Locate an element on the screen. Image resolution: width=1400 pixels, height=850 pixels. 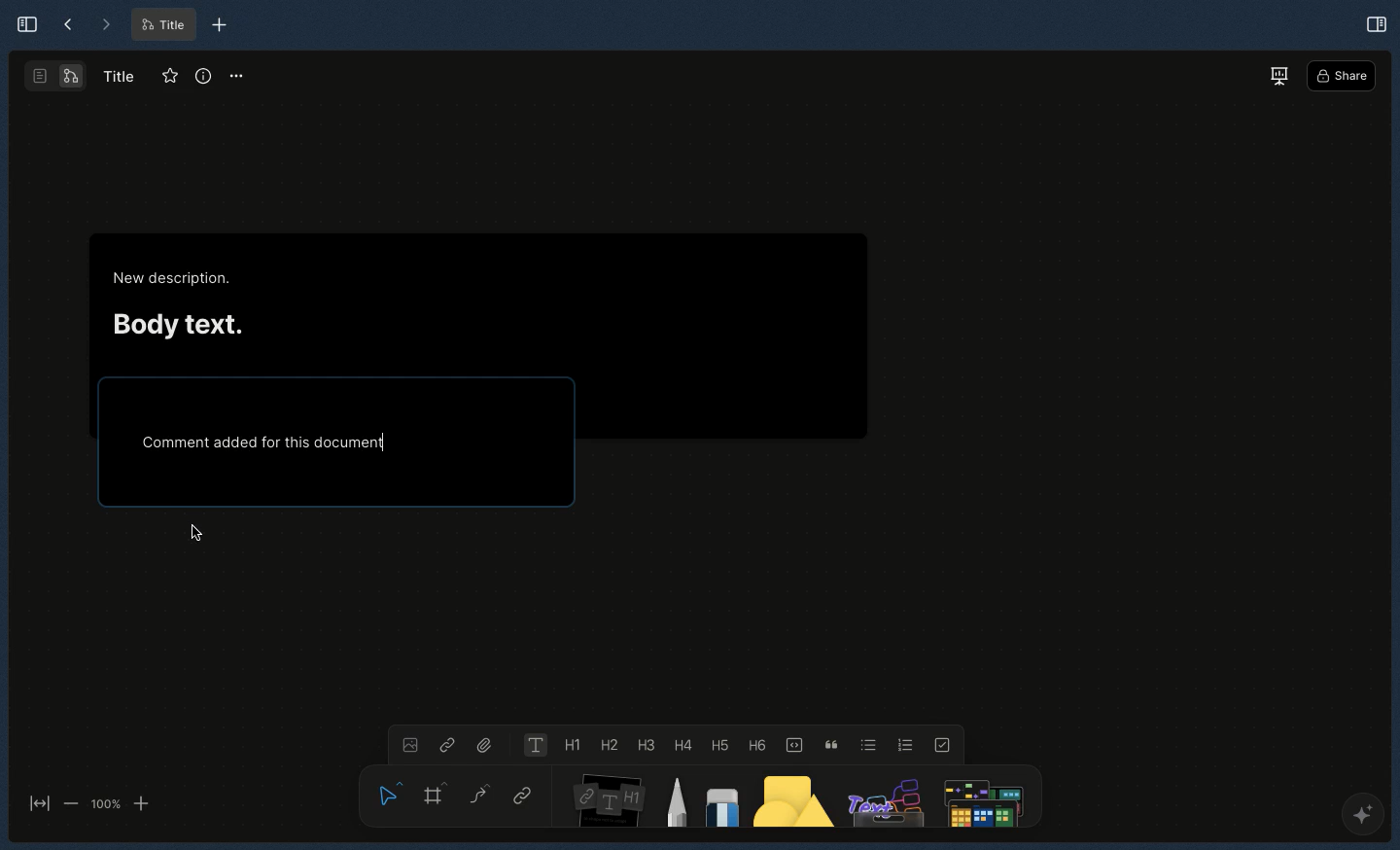
Link is located at coordinates (523, 797).